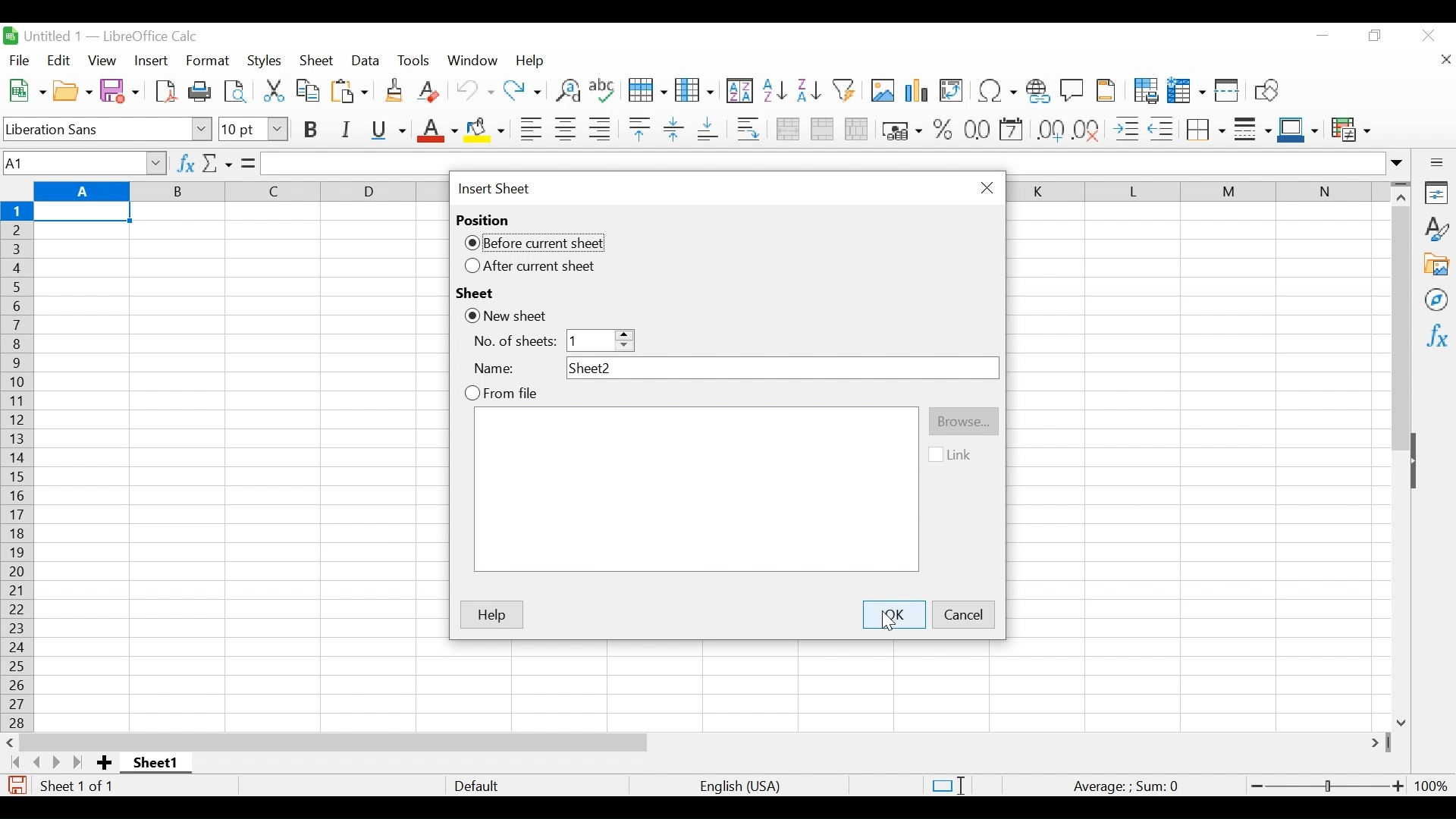  Describe the element at coordinates (835, 165) in the screenshot. I see `Formular Bar` at that location.